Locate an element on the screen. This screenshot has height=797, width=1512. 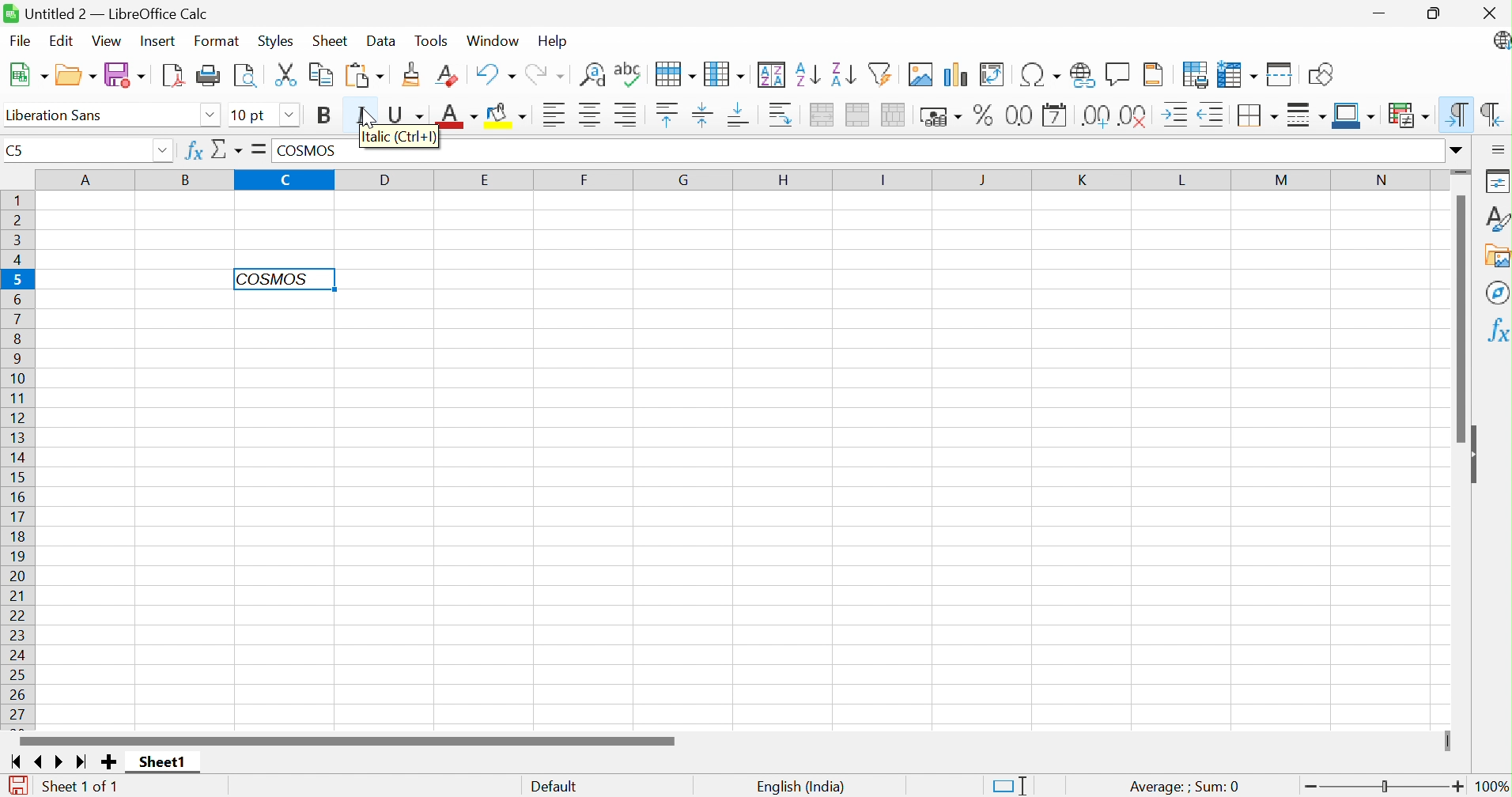
Align vertically is located at coordinates (701, 114).